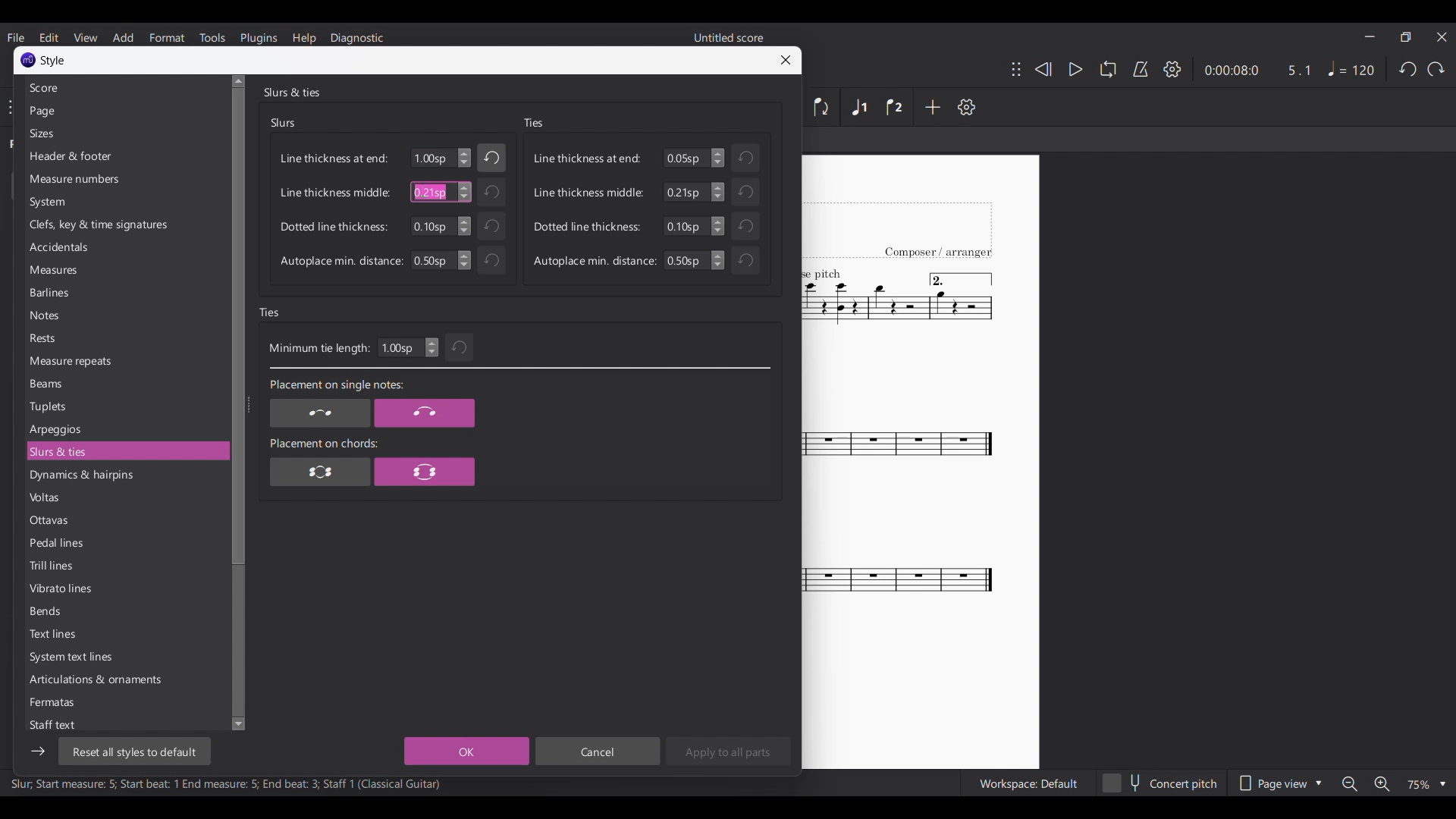 The height and width of the screenshot is (819, 1456). I want to click on Arpeggios, so click(125, 429).